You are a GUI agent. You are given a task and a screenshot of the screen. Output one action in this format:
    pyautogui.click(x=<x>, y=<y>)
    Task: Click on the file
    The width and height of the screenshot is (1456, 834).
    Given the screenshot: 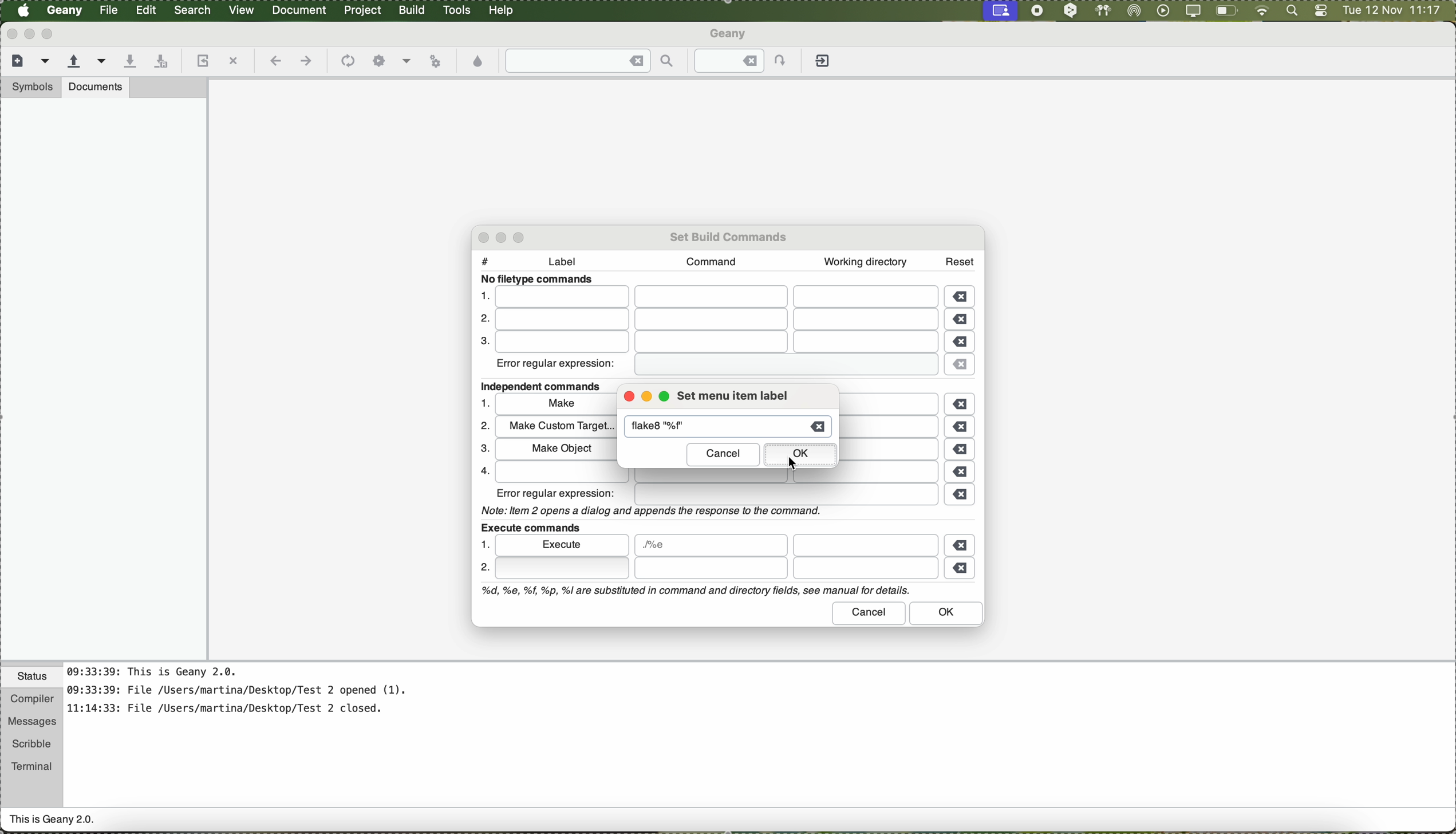 What is the action you would take?
    pyautogui.click(x=784, y=569)
    